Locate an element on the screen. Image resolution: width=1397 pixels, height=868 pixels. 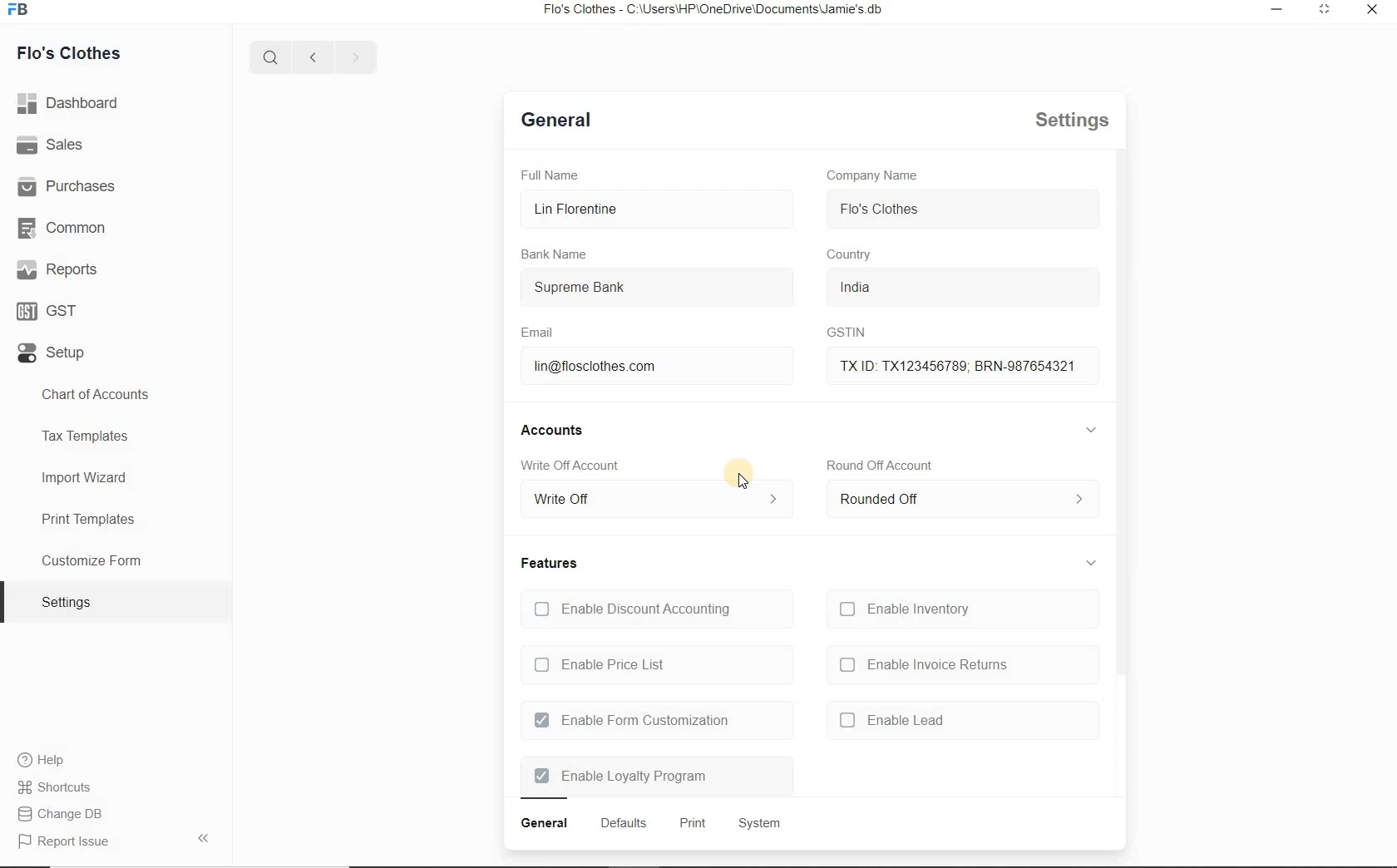
Flo's Clothes is located at coordinates (67, 55).